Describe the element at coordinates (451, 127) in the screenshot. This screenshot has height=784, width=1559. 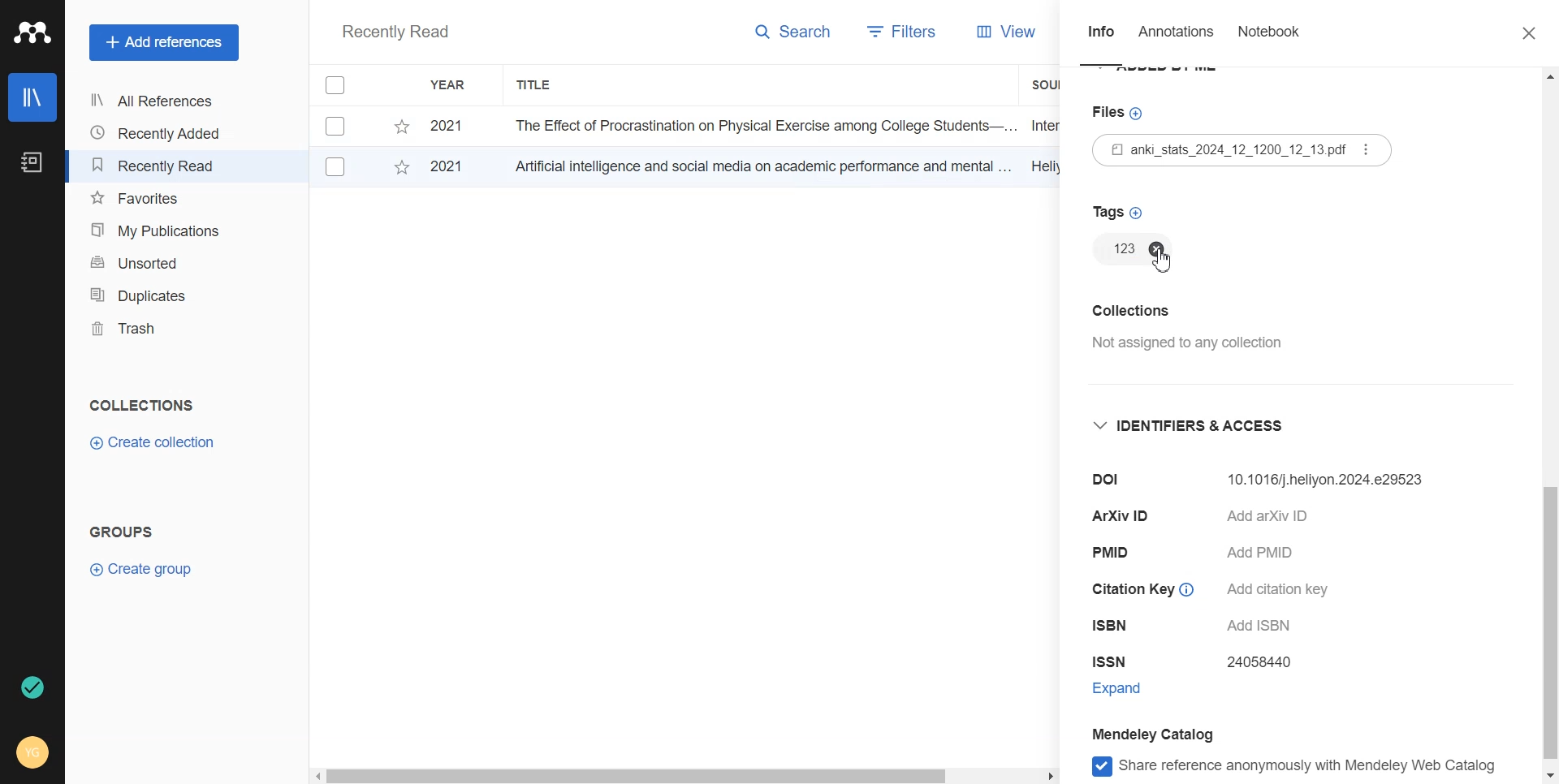
I see `2021` at that location.